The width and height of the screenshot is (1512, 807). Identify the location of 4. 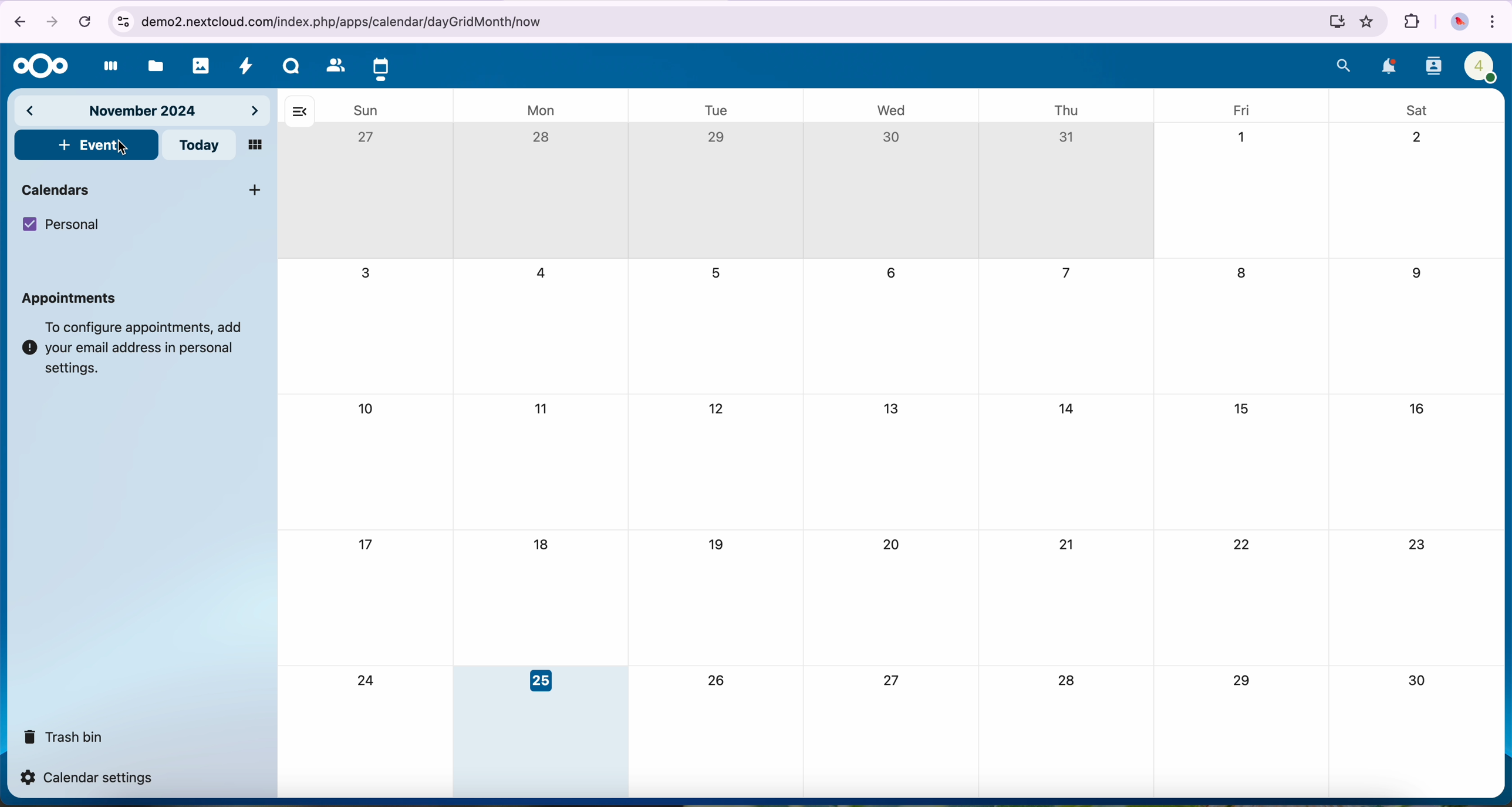
(545, 273).